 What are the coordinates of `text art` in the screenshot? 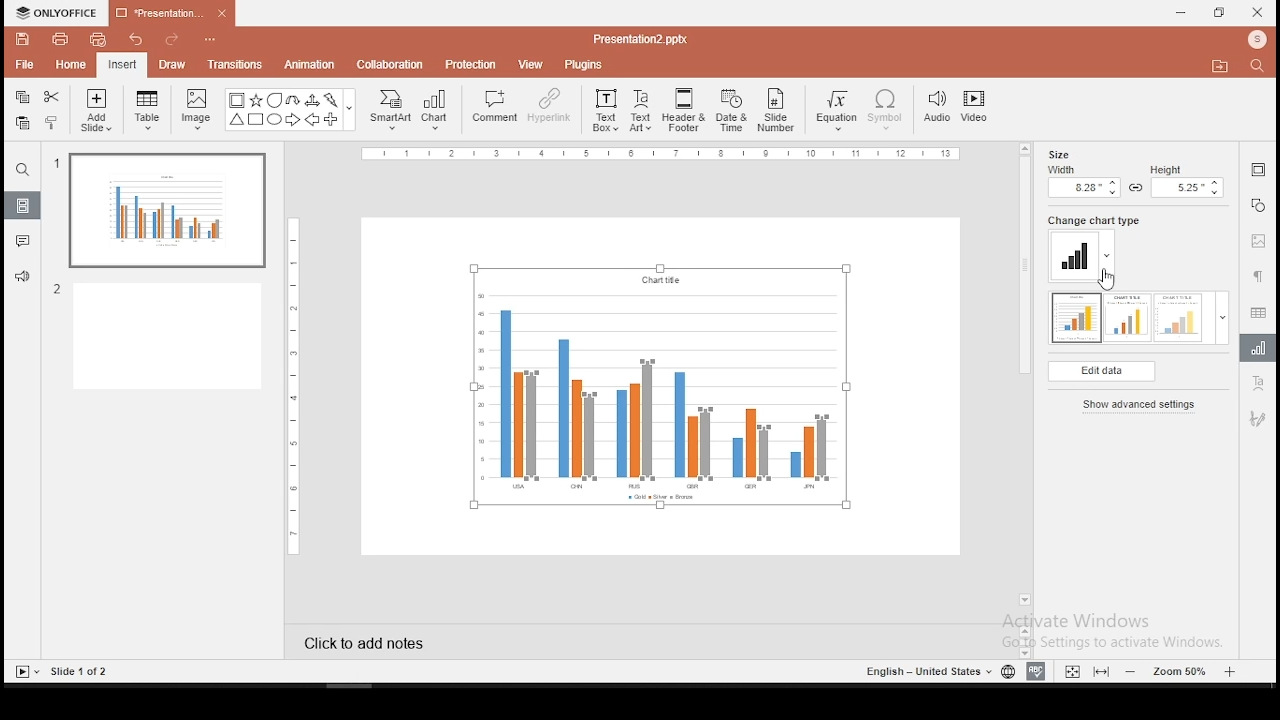 It's located at (643, 109).